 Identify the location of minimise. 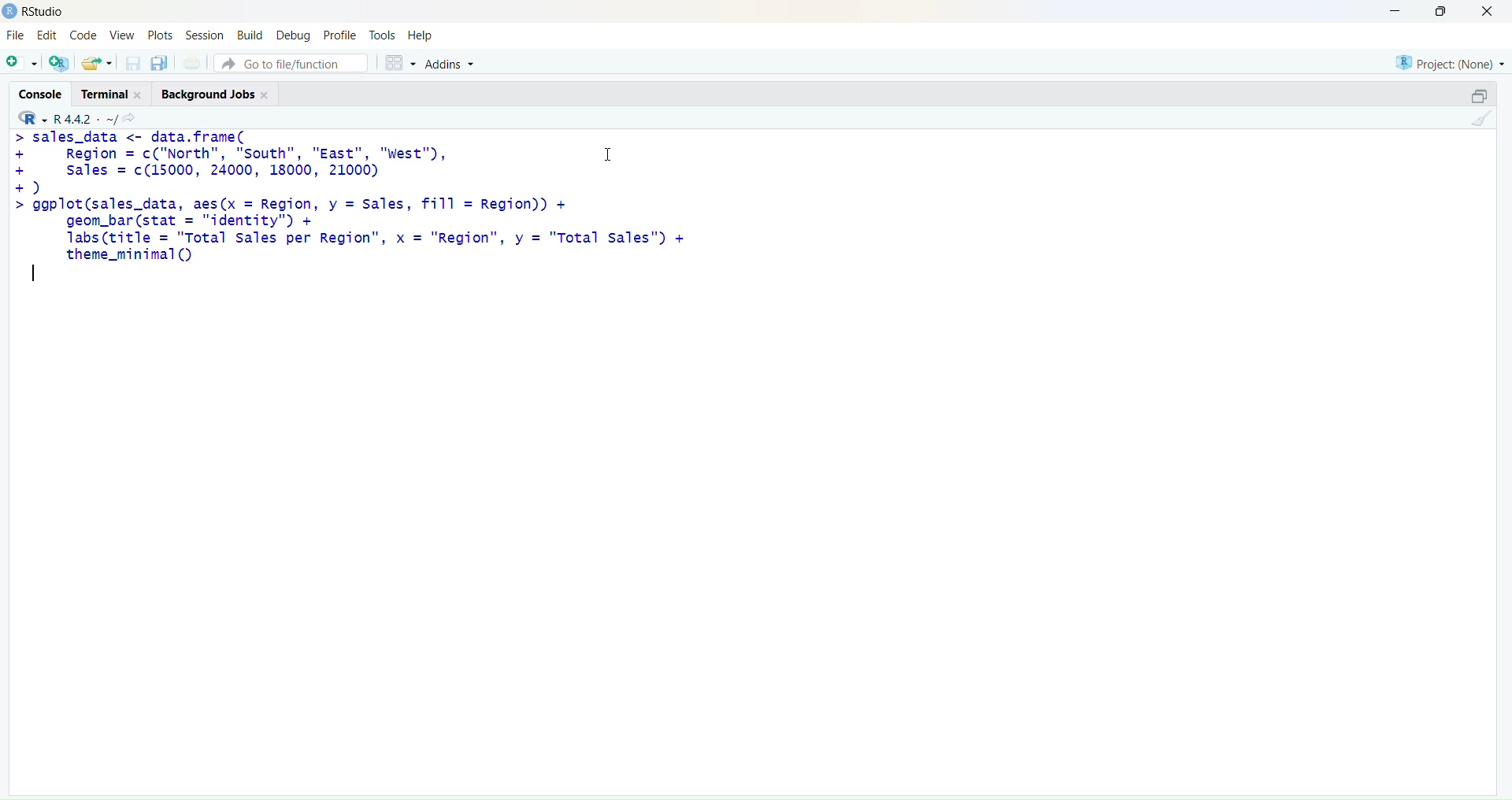
(1385, 9).